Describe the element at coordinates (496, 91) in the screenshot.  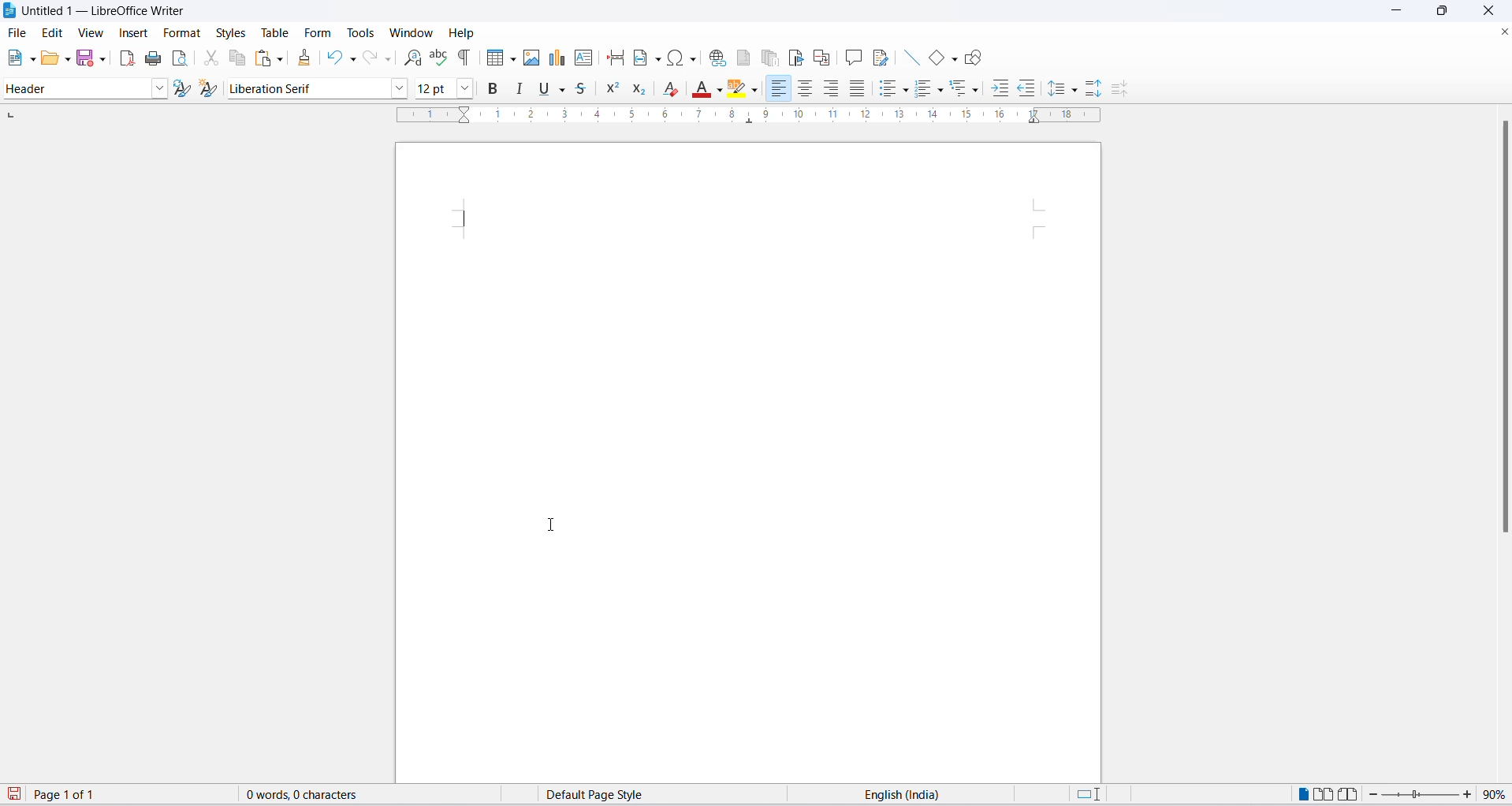
I see `bold` at that location.